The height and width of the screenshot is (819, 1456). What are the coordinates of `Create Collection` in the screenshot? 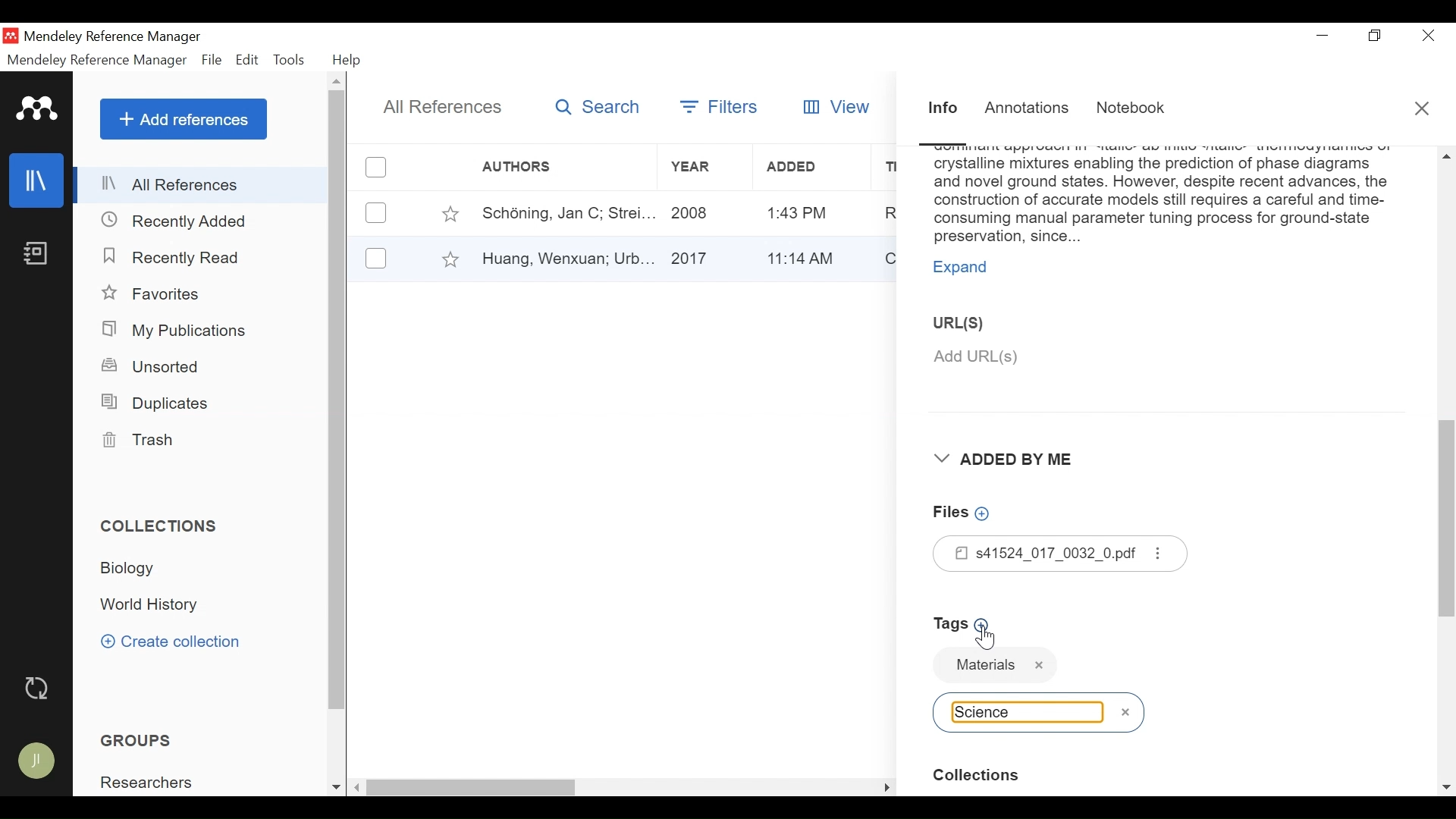 It's located at (171, 641).